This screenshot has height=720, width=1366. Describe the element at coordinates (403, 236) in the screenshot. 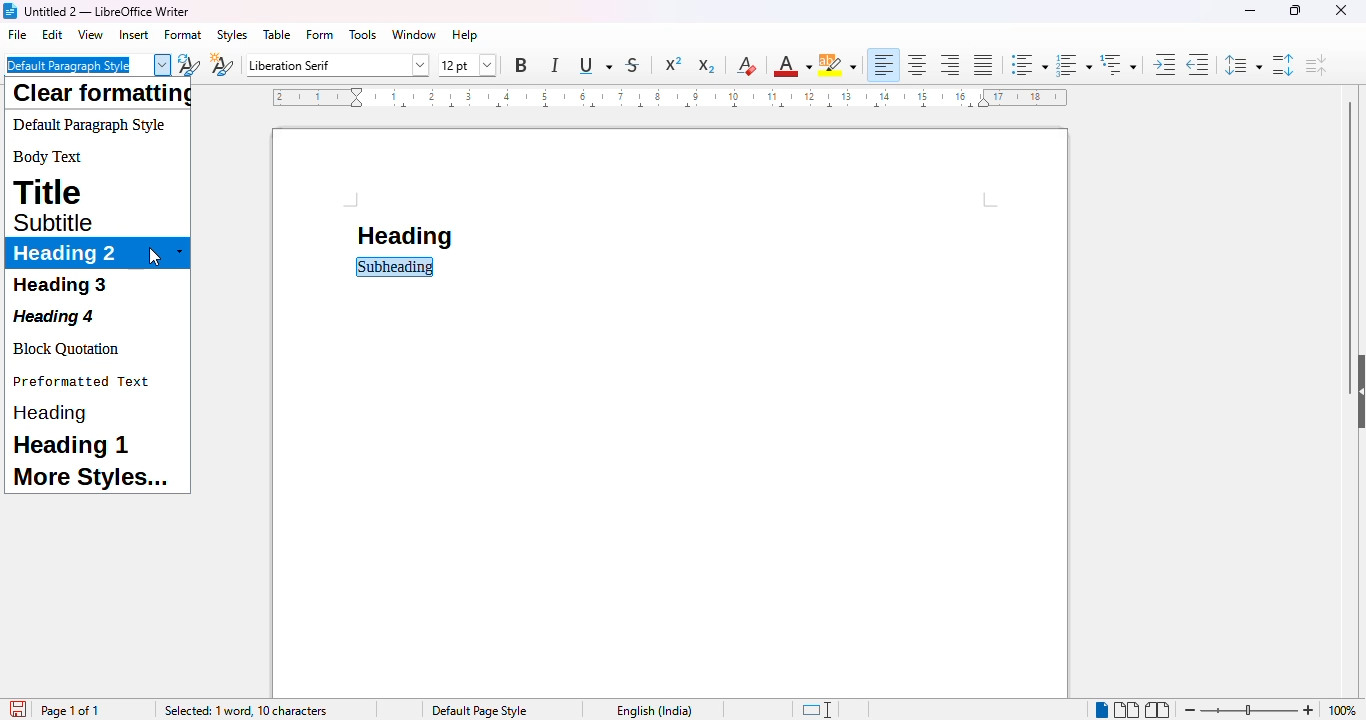

I see `heading` at that location.